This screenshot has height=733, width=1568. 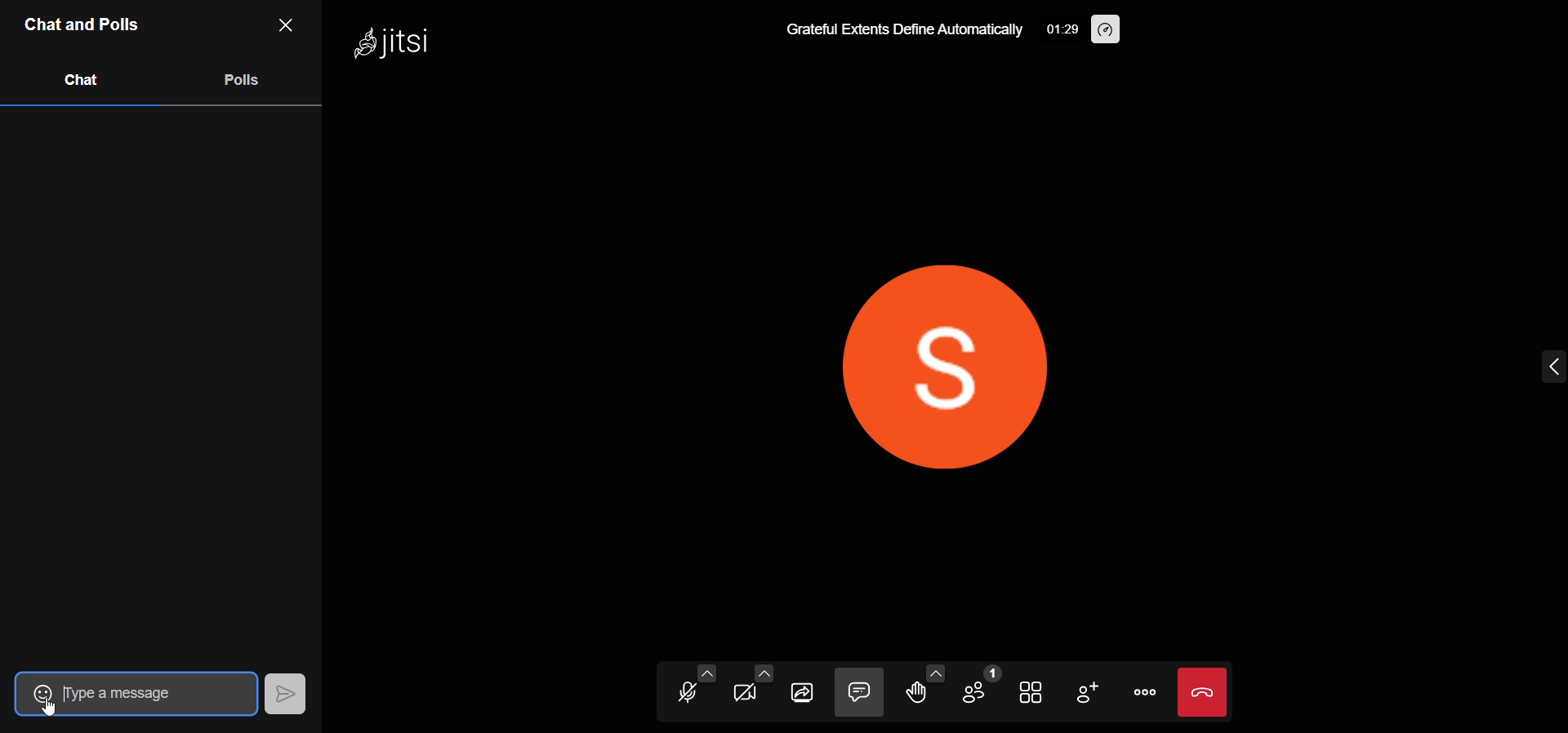 I want to click on send, so click(x=287, y=695).